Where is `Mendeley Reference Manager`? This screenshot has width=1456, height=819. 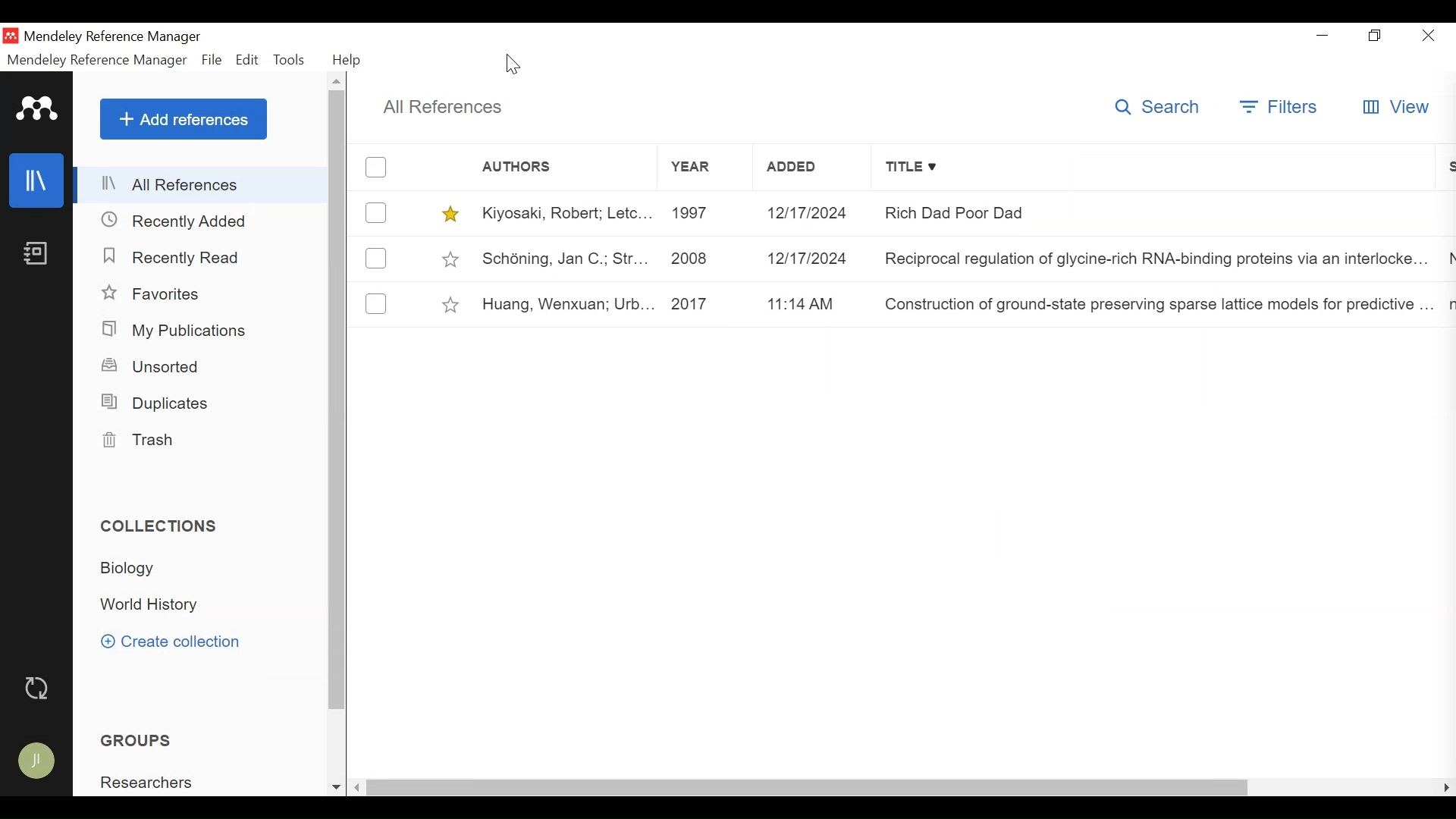
Mendeley Reference Manager is located at coordinates (121, 36).